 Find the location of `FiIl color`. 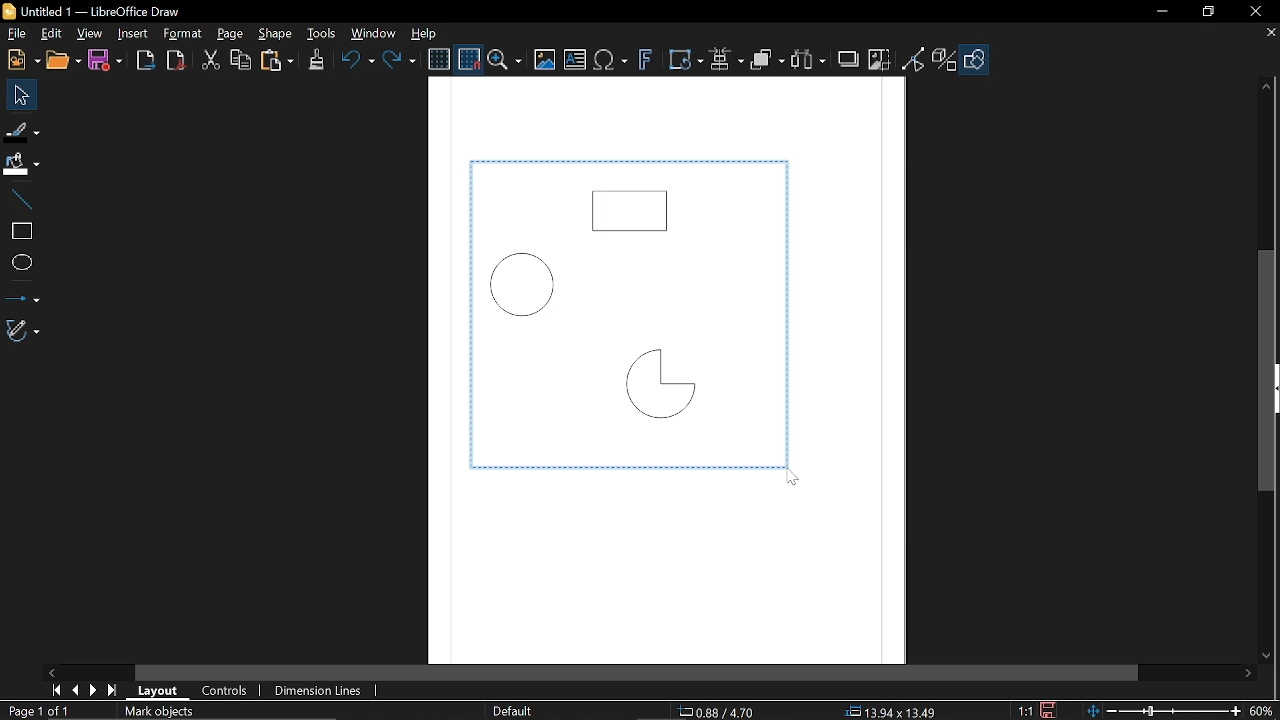

FiIl color is located at coordinates (22, 160).